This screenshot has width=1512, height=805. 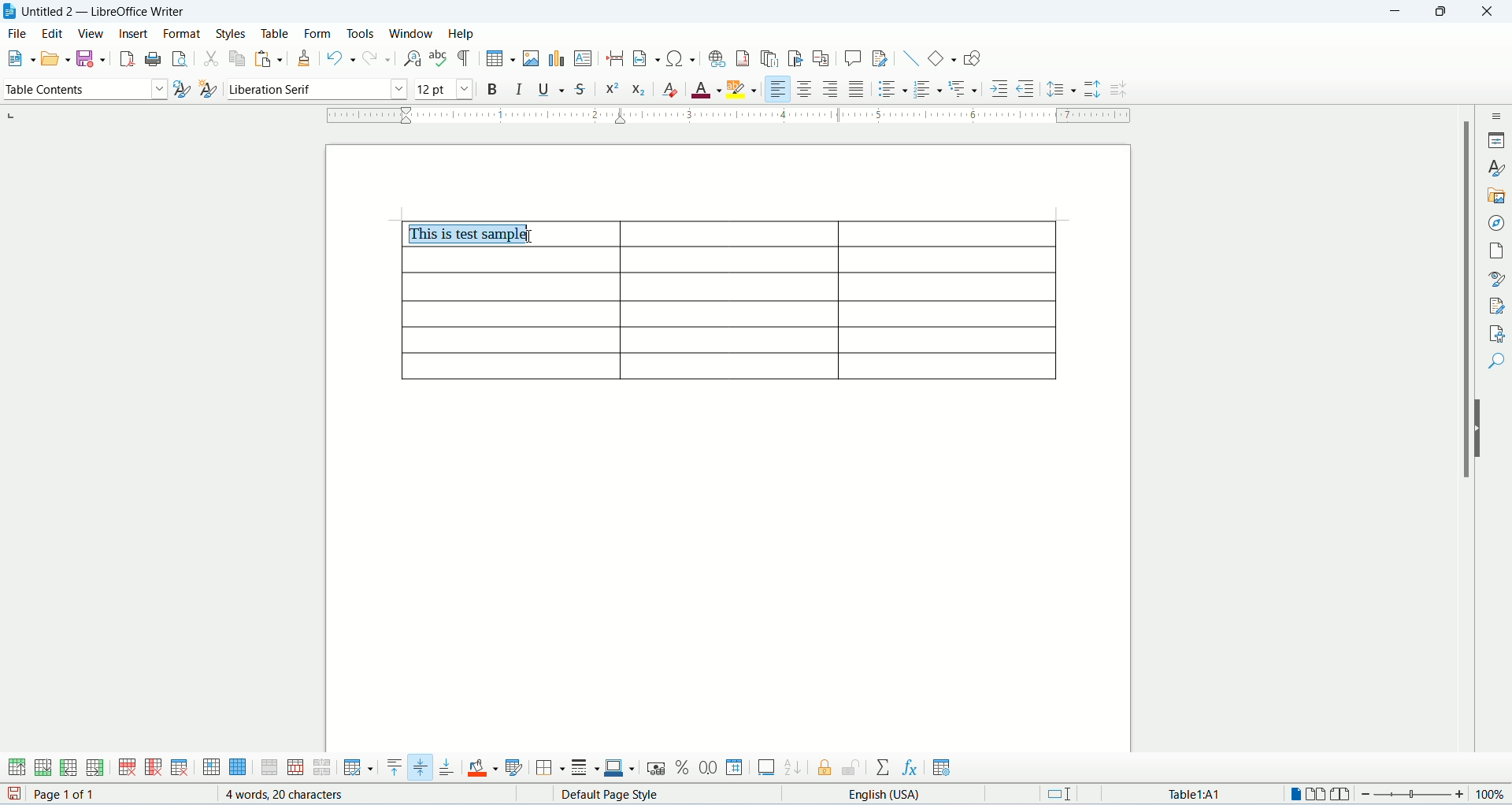 What do you see at coordinates (1000, 88) in the screenshot?
I see `increase indent` at bounding box center [1000, 88].